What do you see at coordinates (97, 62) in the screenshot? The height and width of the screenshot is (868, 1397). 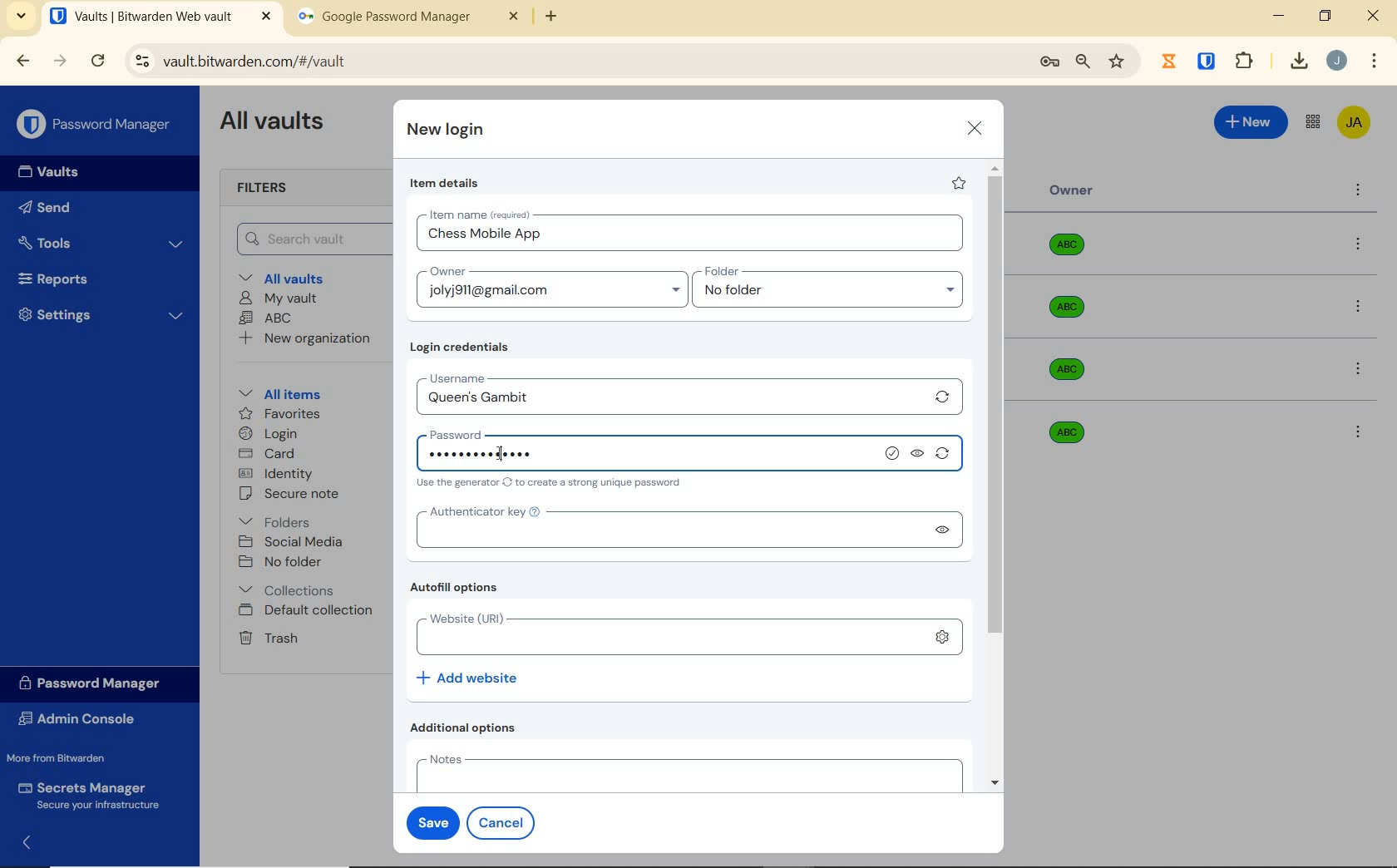 I see `reload` at bounding box center [97, 62].